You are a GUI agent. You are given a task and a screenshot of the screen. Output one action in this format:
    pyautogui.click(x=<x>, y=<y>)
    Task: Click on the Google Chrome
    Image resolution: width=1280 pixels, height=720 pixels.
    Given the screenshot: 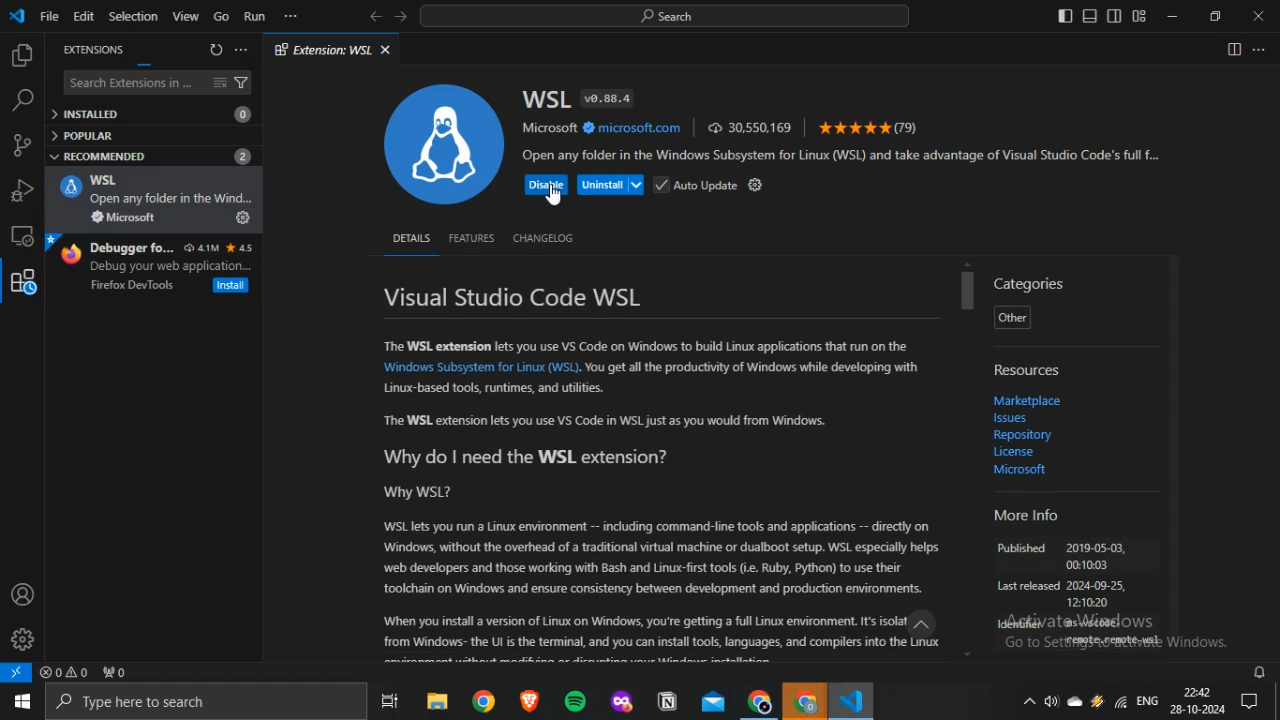 What is the action you would take?
    pyautogui.click(x=759, y=701)
    